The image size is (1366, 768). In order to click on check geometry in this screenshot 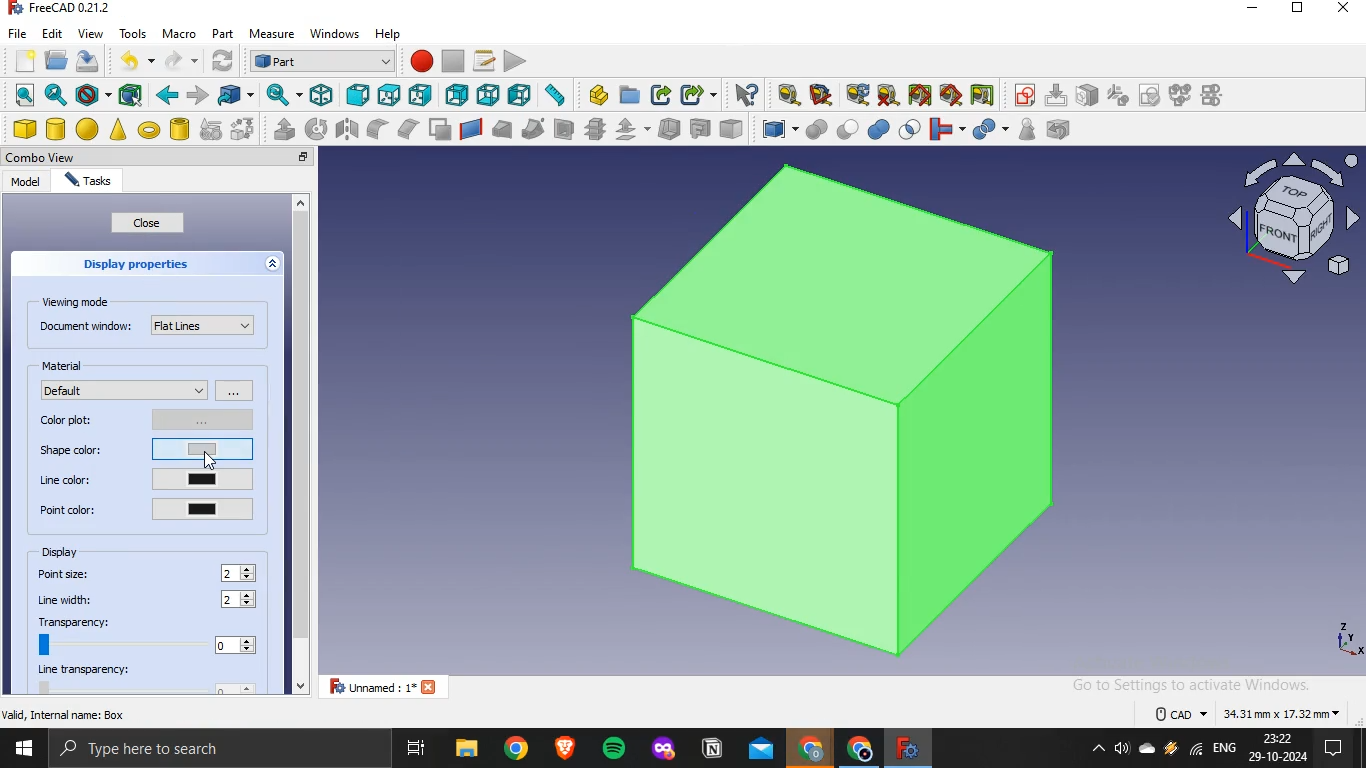, I will do `click(1026, 129)`.